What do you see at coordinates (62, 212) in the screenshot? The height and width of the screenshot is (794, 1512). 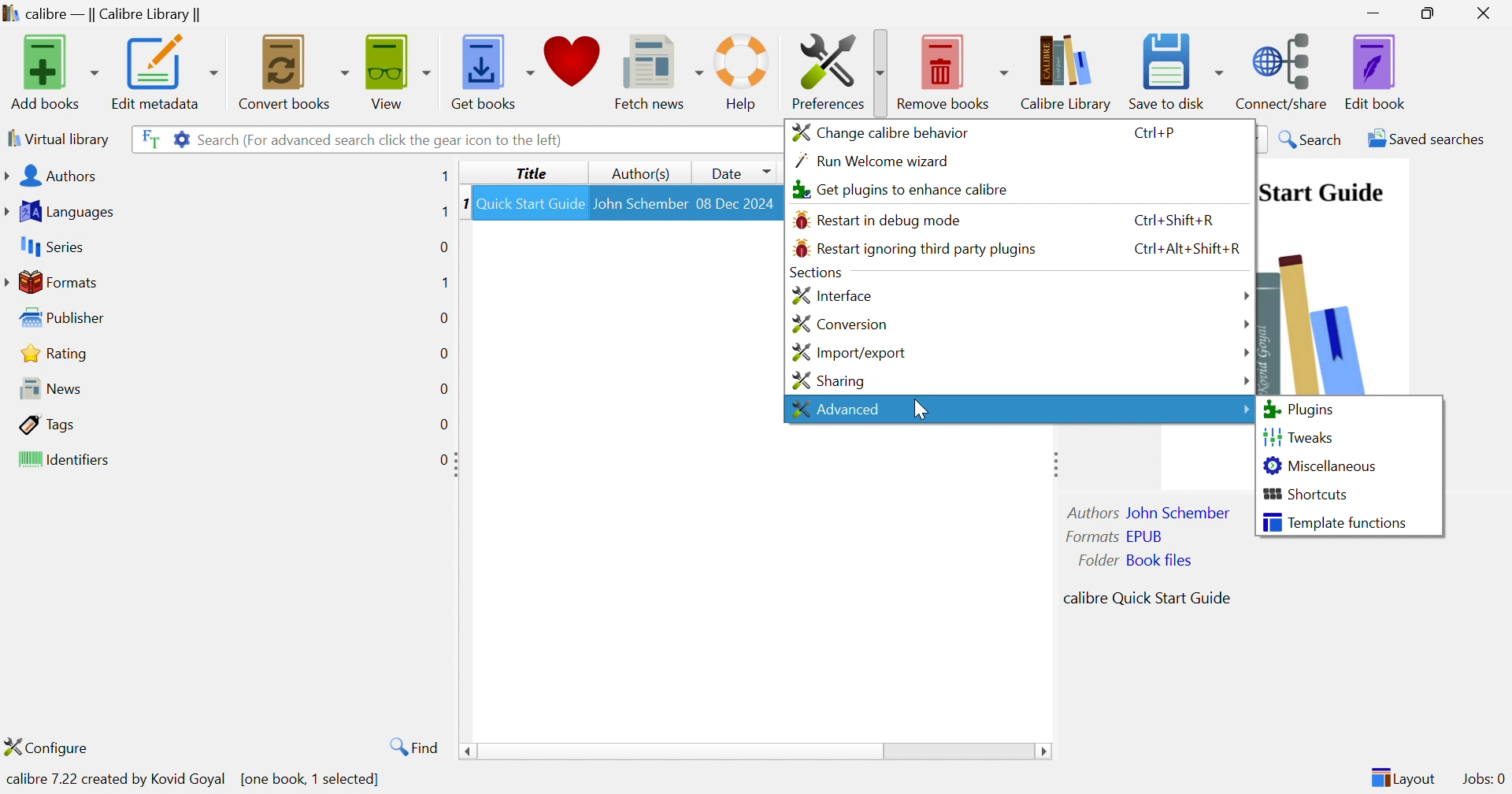 I see `Languages` at bounding box center [62, 212].